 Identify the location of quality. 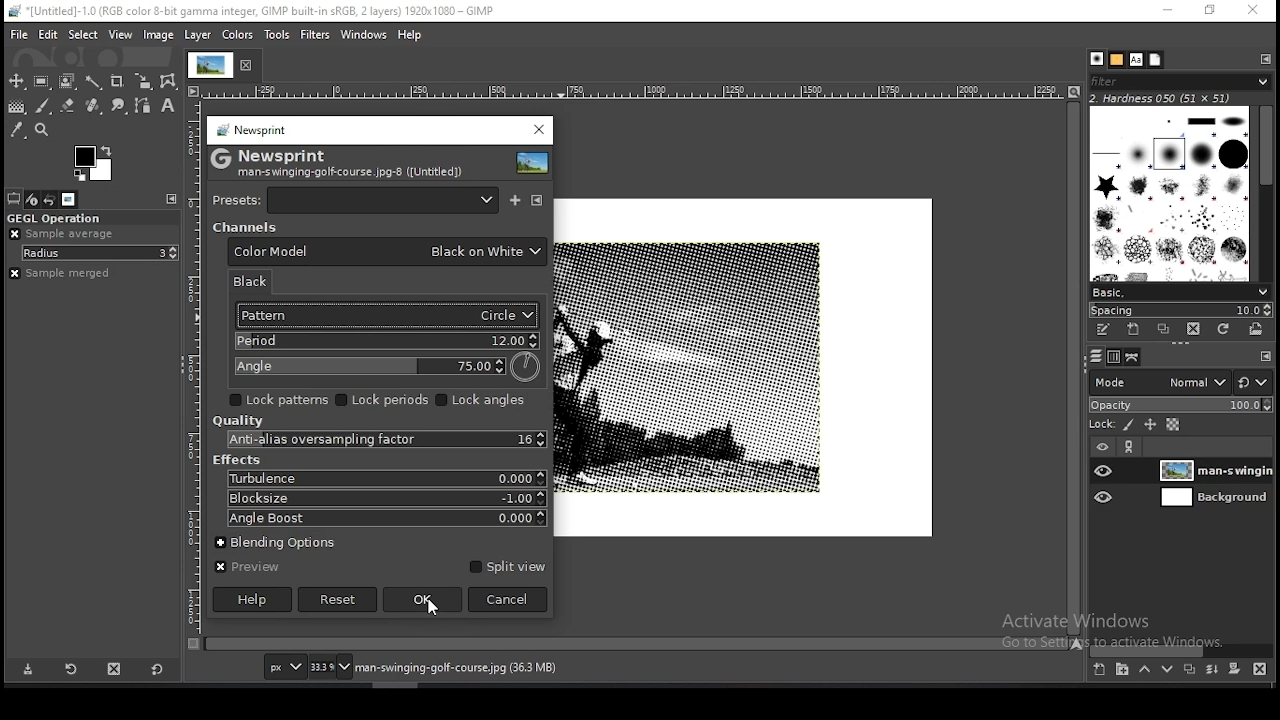
(238, 421).